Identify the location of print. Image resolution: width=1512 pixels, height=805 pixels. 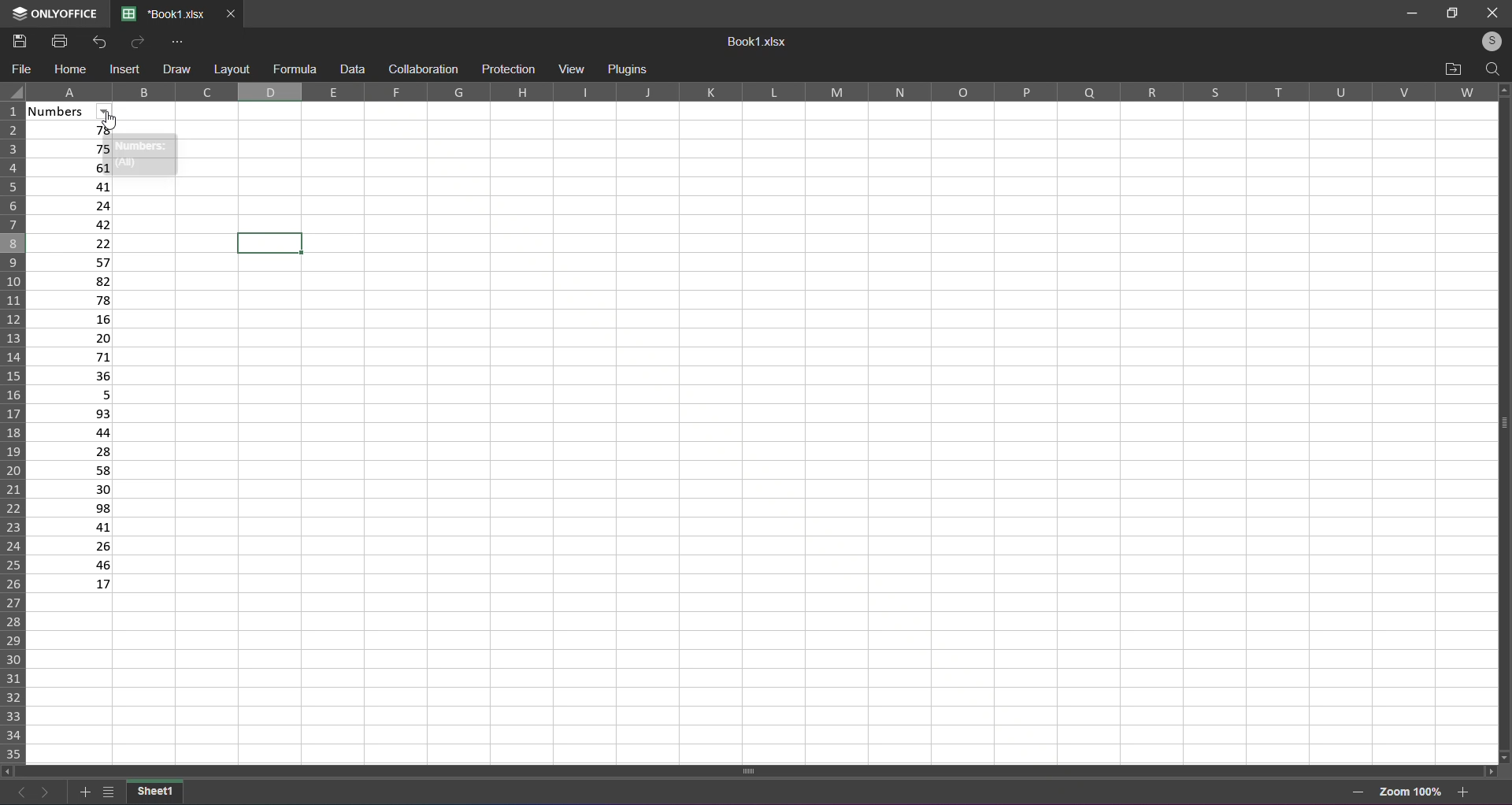
(57, 41).